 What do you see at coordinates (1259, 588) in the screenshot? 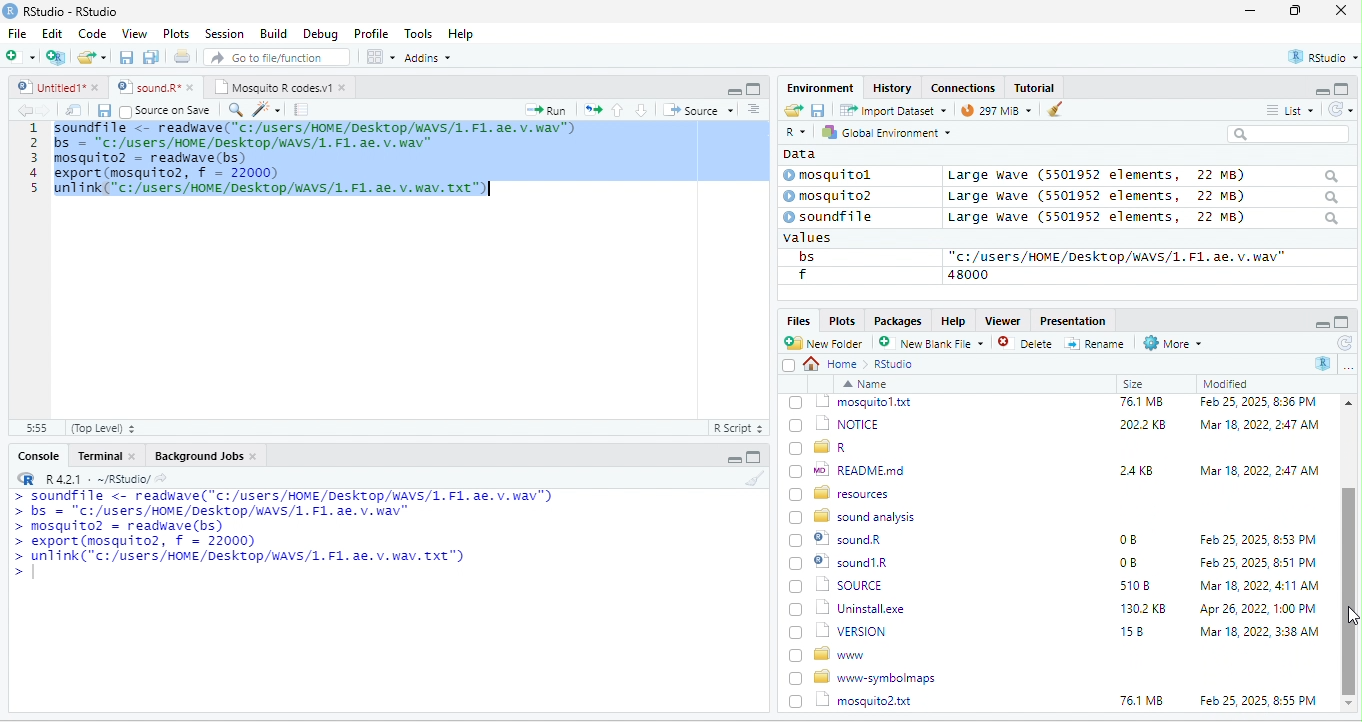
I see `Mar 18, 2022, 2:47 AM` at bounding box center [1259, 588].